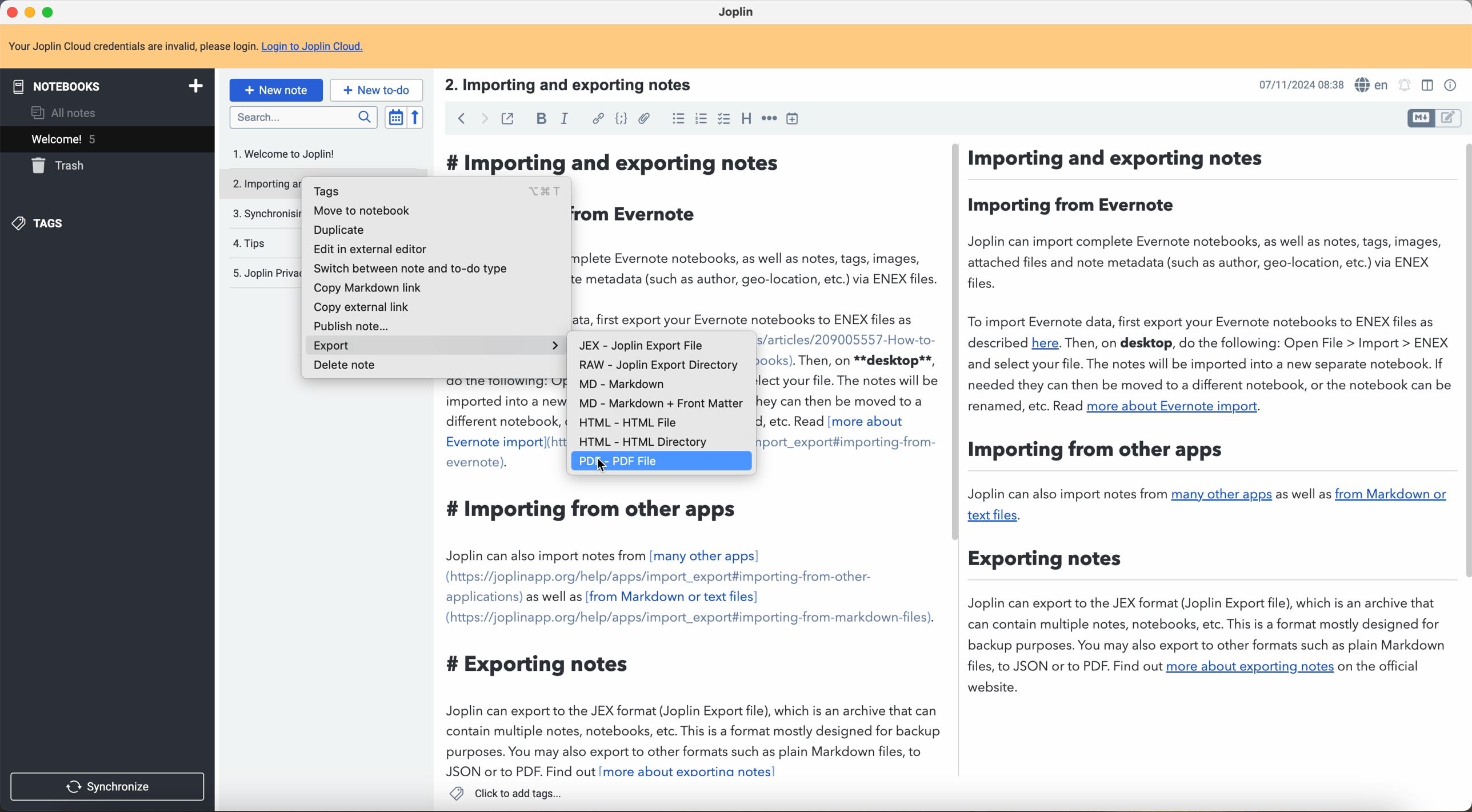 The height and width of the screenshot is (812, 1472). I want to click on Importing and exporting notes: Joplin can important complete Evernote notebooks, as well as notes, tags, images, attached files and note metadata (such as as author, geo-location, etc) vía ENEX files. To import Evernote data, first export your Evernote notebooks to ENEX files aside described (here)…, so click(757, 239).